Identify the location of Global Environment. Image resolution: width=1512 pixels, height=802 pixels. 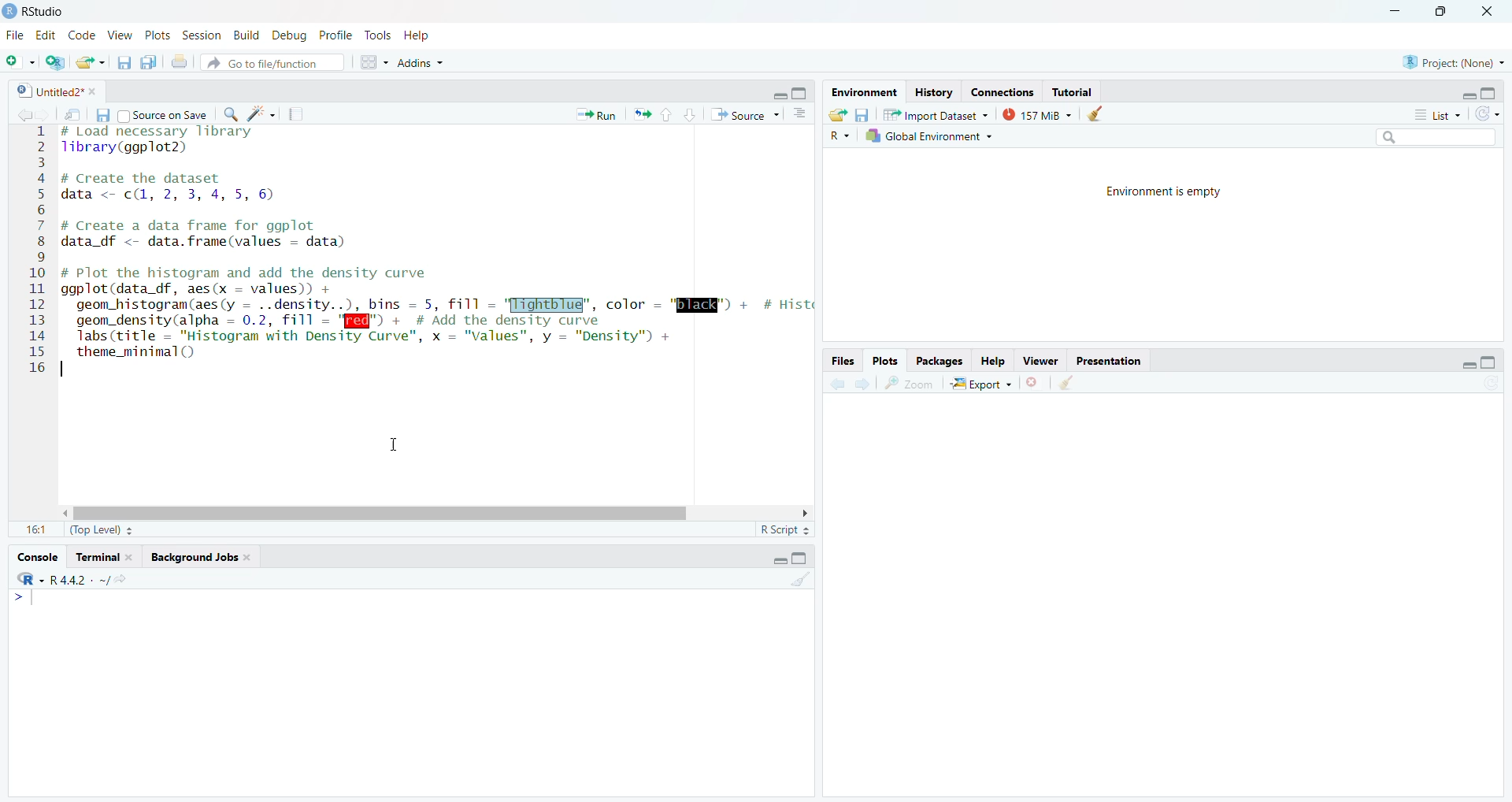
(929, 136).